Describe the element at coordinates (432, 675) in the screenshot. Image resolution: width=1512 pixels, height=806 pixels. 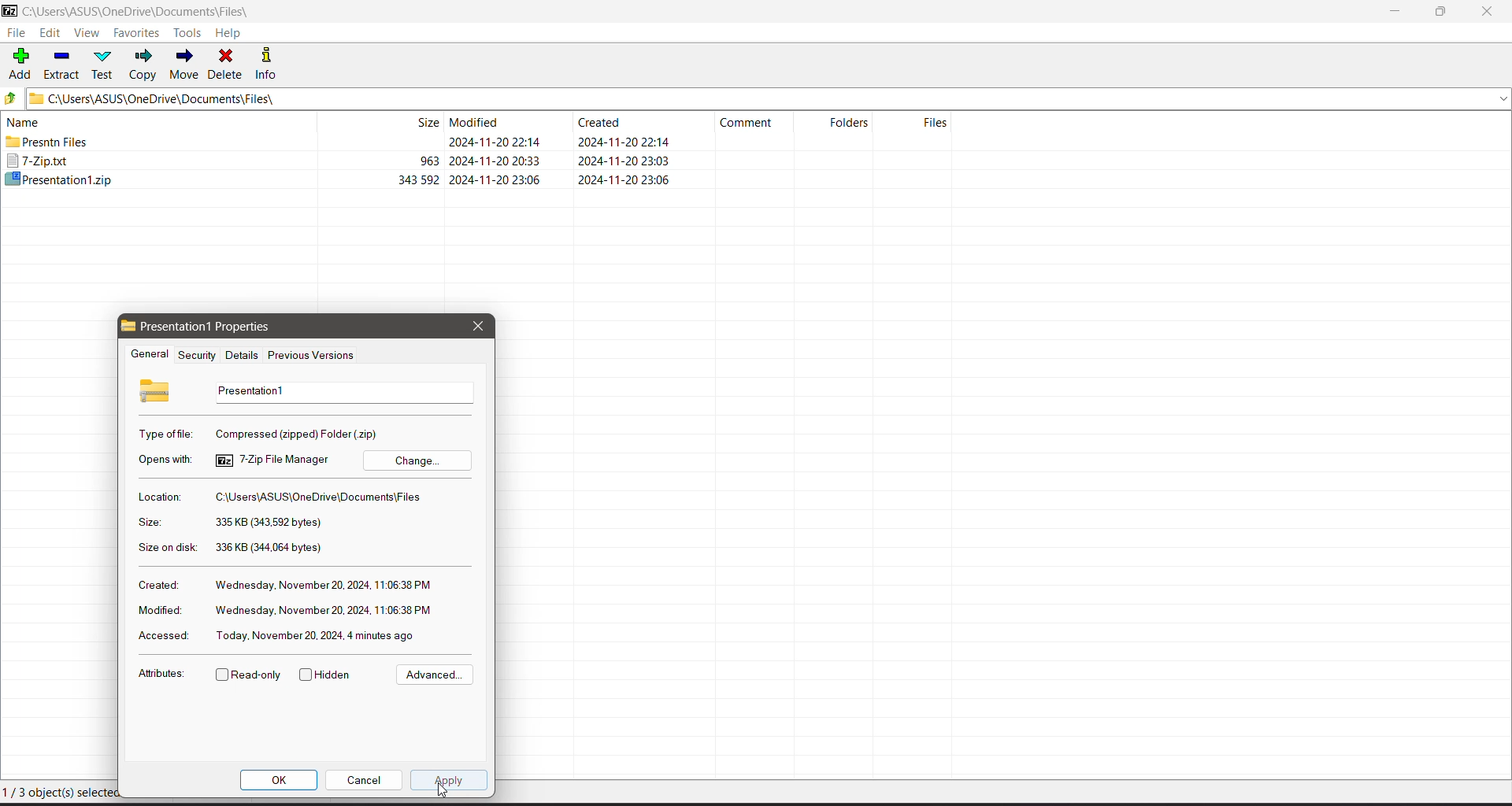
I see `Advanced` at that location.